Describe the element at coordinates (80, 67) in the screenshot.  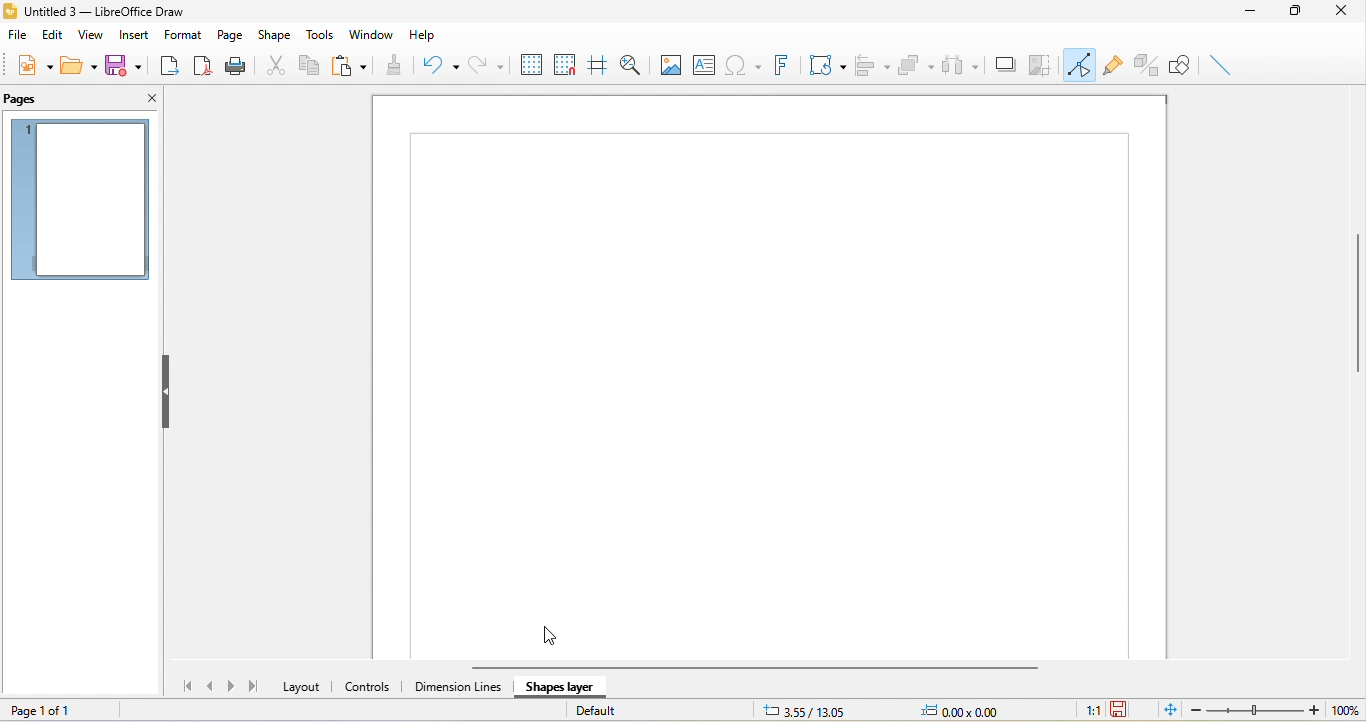
I see `open` at that location.